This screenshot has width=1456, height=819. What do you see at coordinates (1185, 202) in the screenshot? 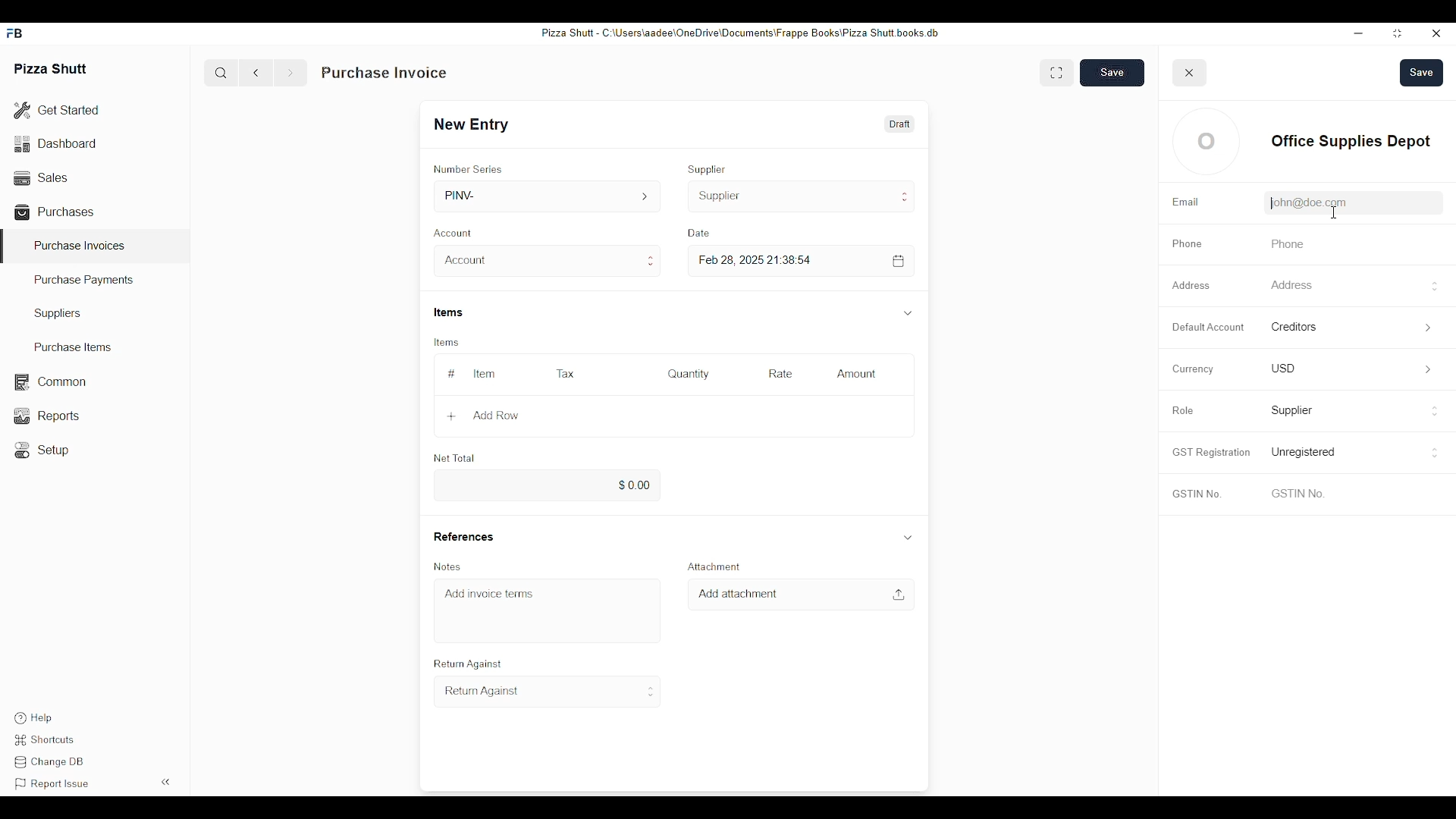
I see `Email` at bounding box center [1185, 202].